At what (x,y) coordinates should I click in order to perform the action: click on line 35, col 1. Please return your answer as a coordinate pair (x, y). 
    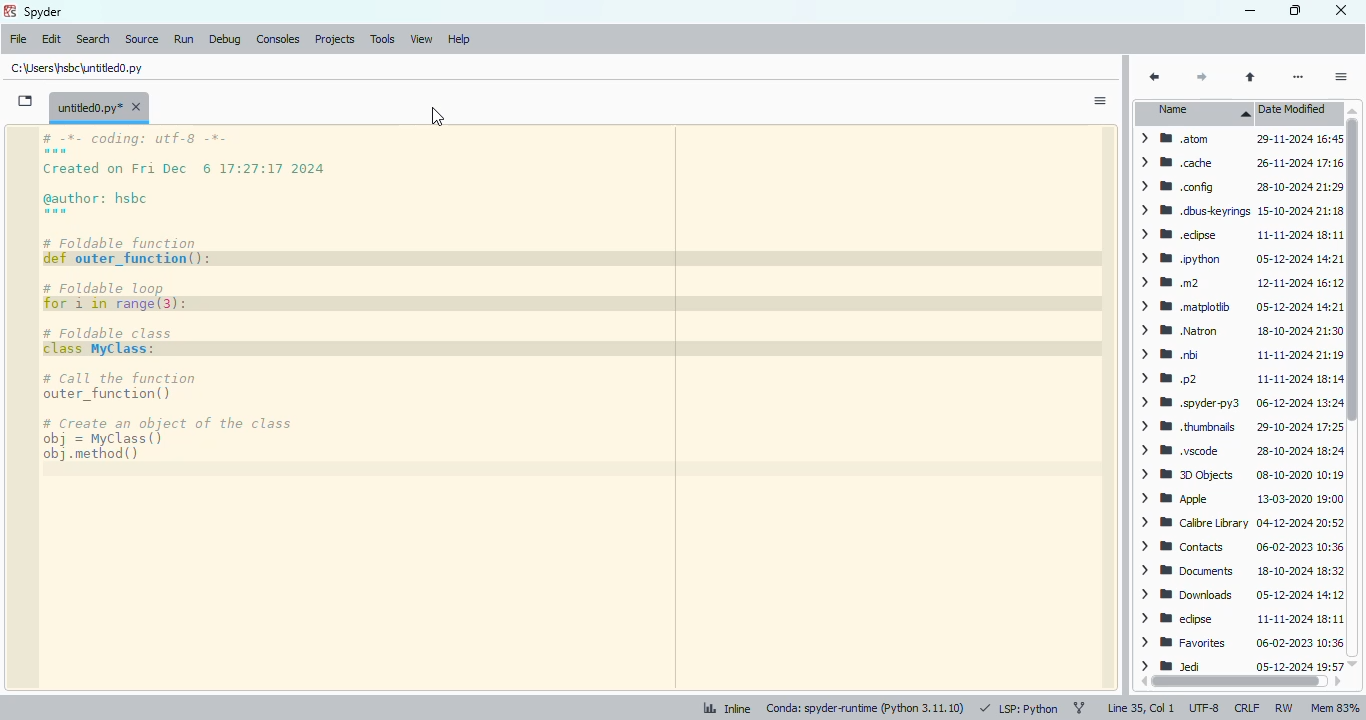
    Looking at the image, I should click on (1141, 708).